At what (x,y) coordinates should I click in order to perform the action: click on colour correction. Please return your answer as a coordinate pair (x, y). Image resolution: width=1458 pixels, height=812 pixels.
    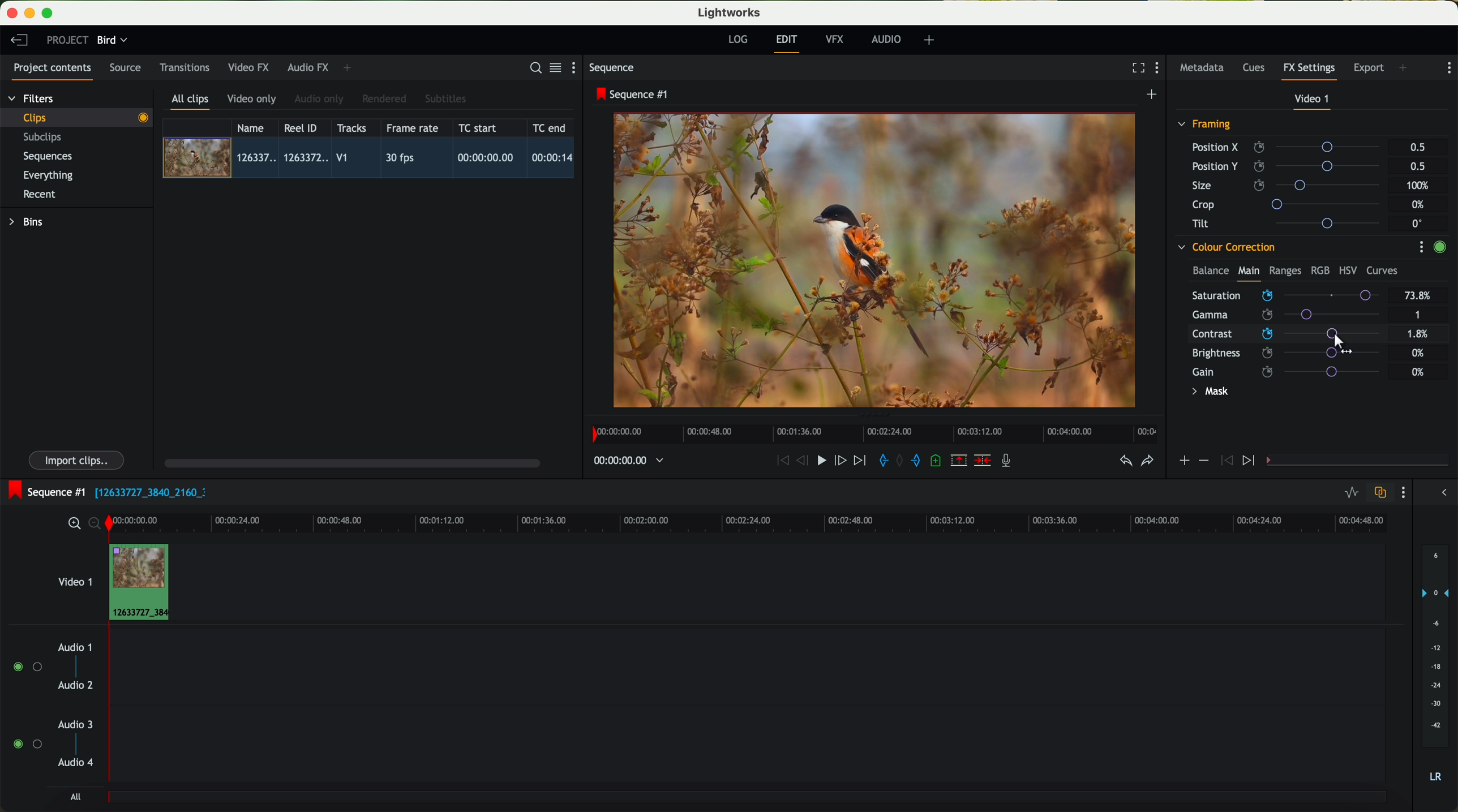
    Looking at the image, I should click on (1225, 247).